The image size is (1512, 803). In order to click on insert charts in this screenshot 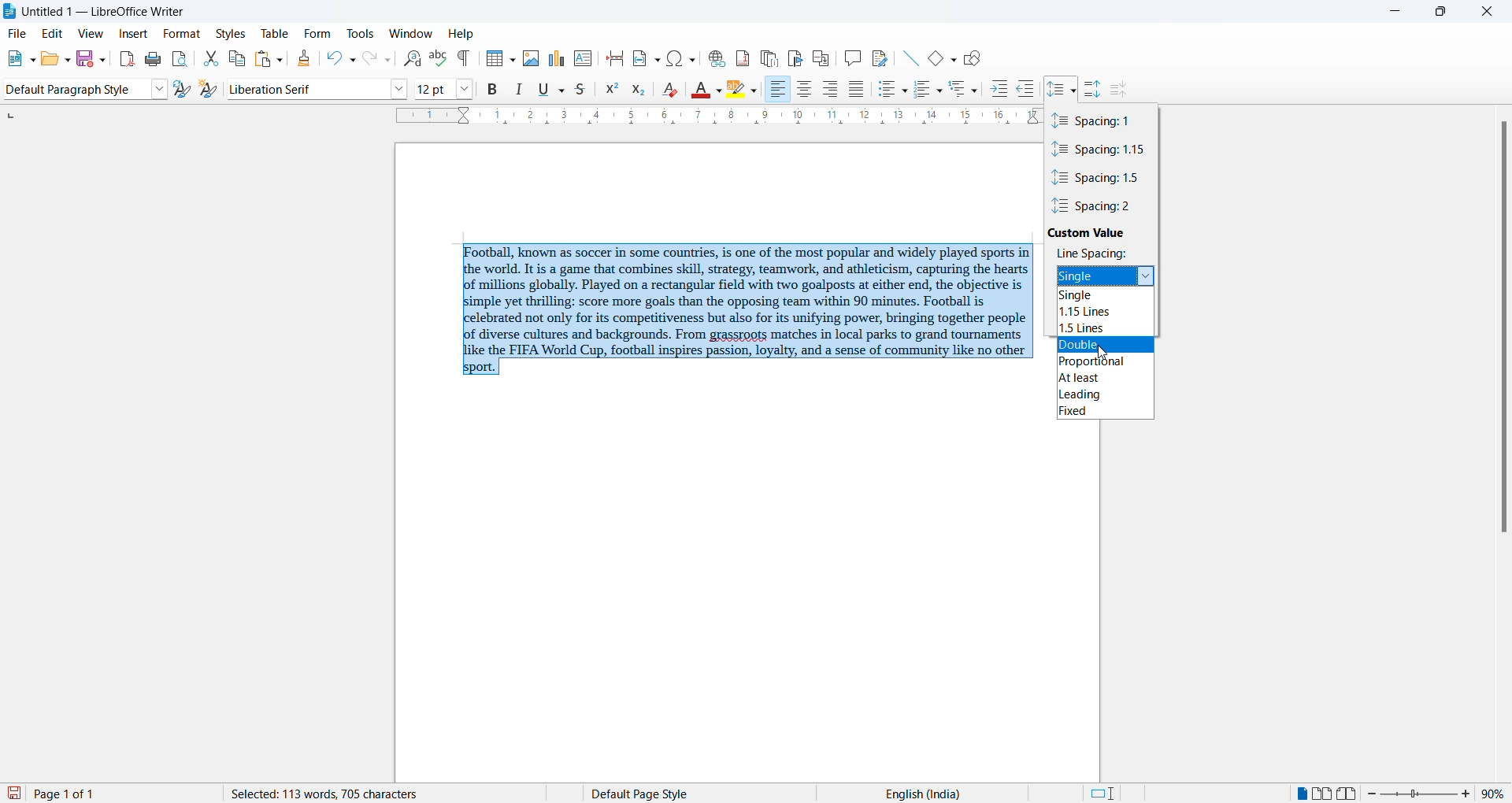, I will do `click(556, 57)`.